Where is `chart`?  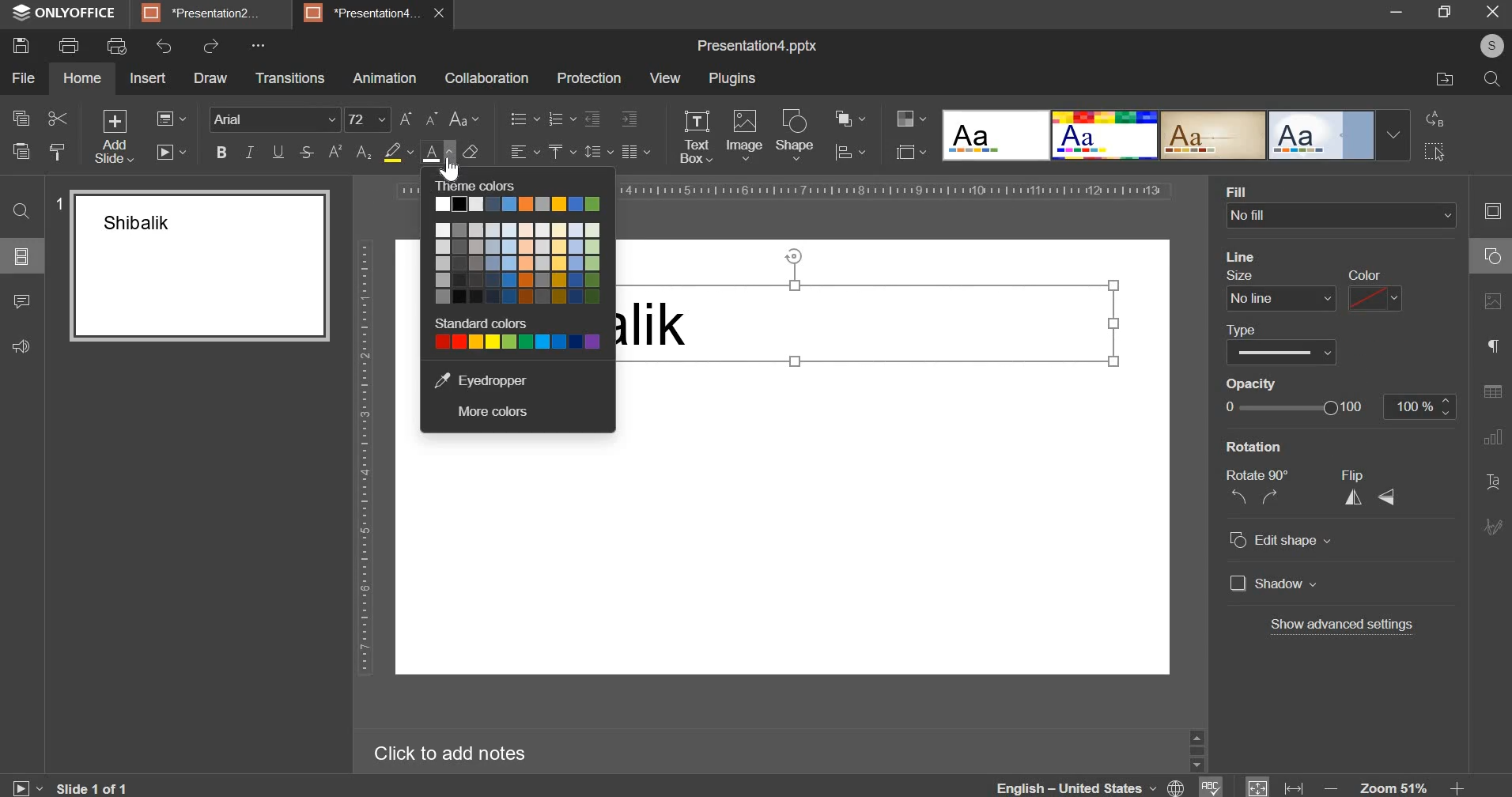
chart is located at coordinates (1489, 444).